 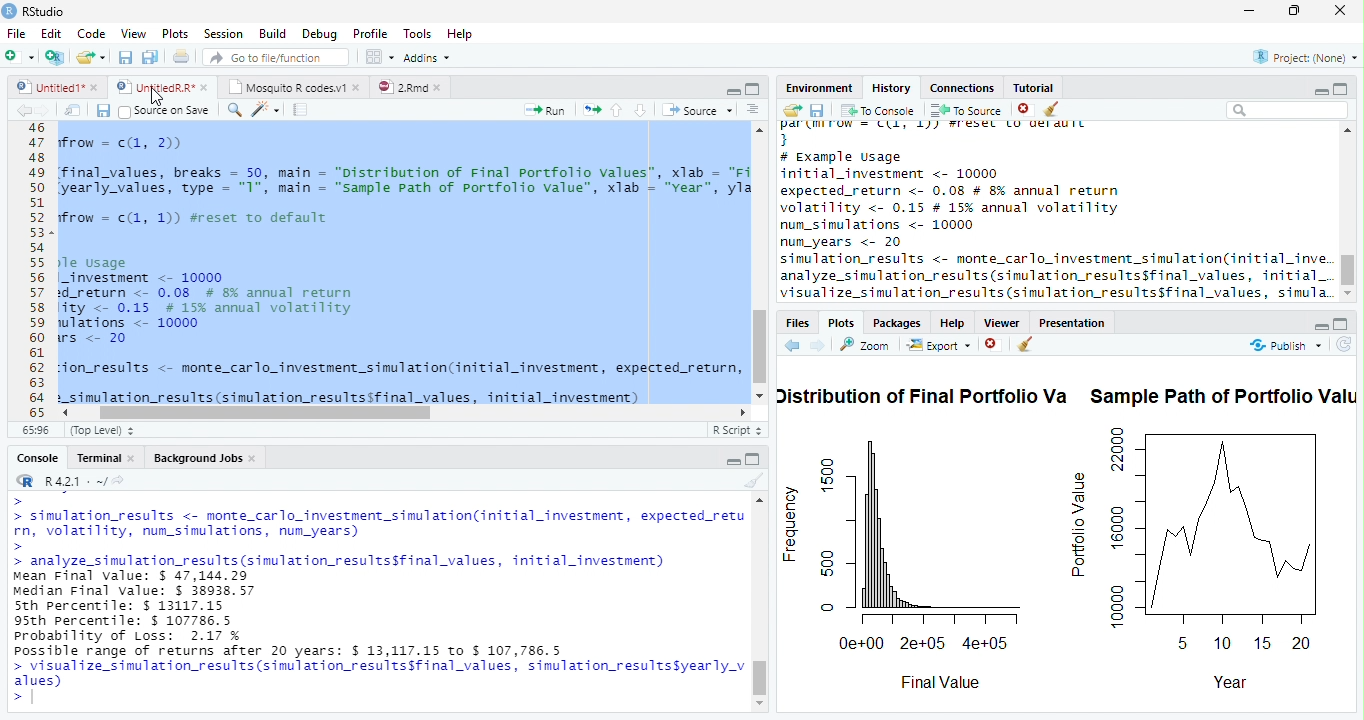 What do you see at coordinates (54, 57) in the screenshot?
I see `Create project` at bounding box center [54, 57].